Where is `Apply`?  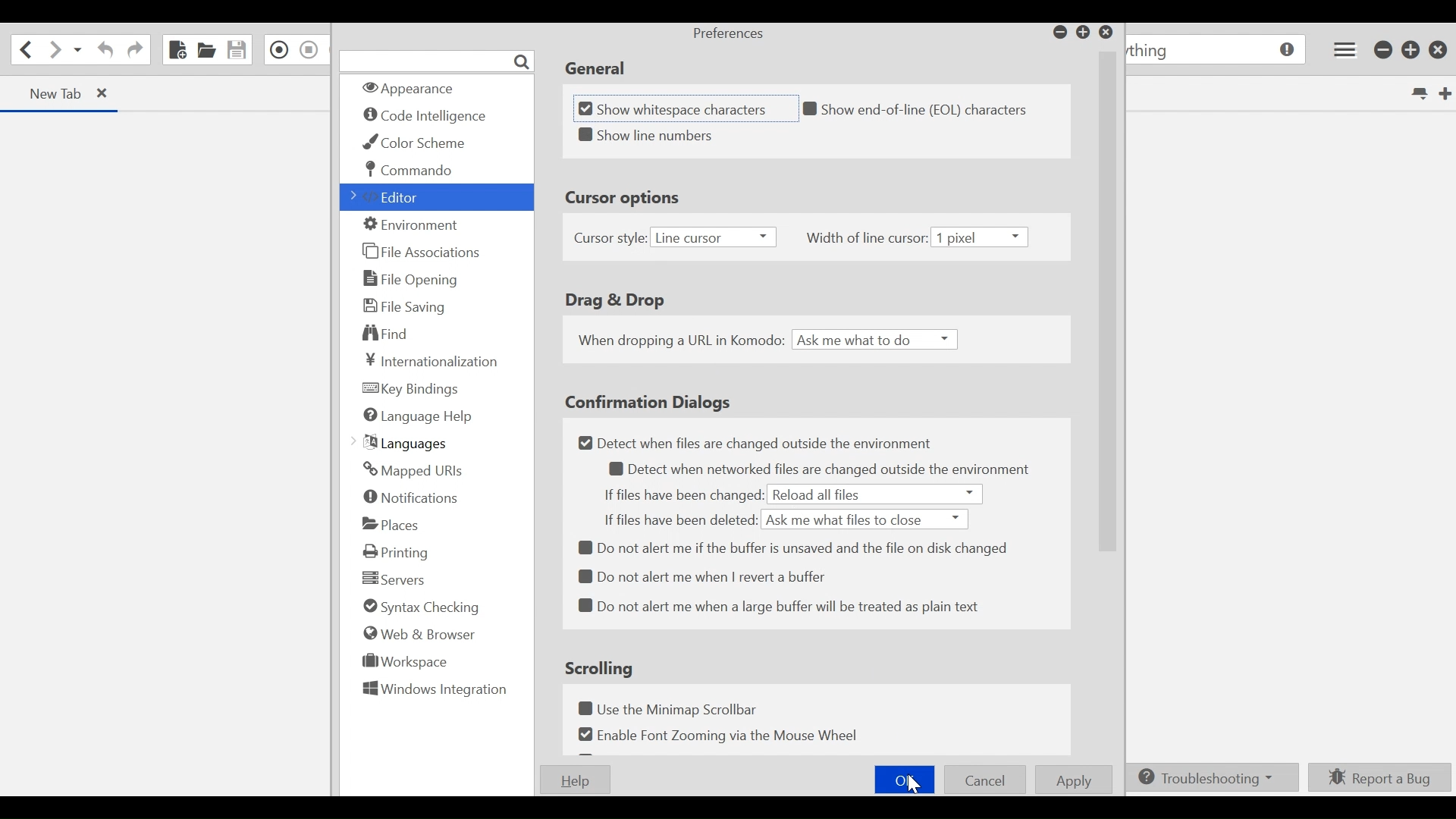 Apply is located at coordinates (1075, 779).